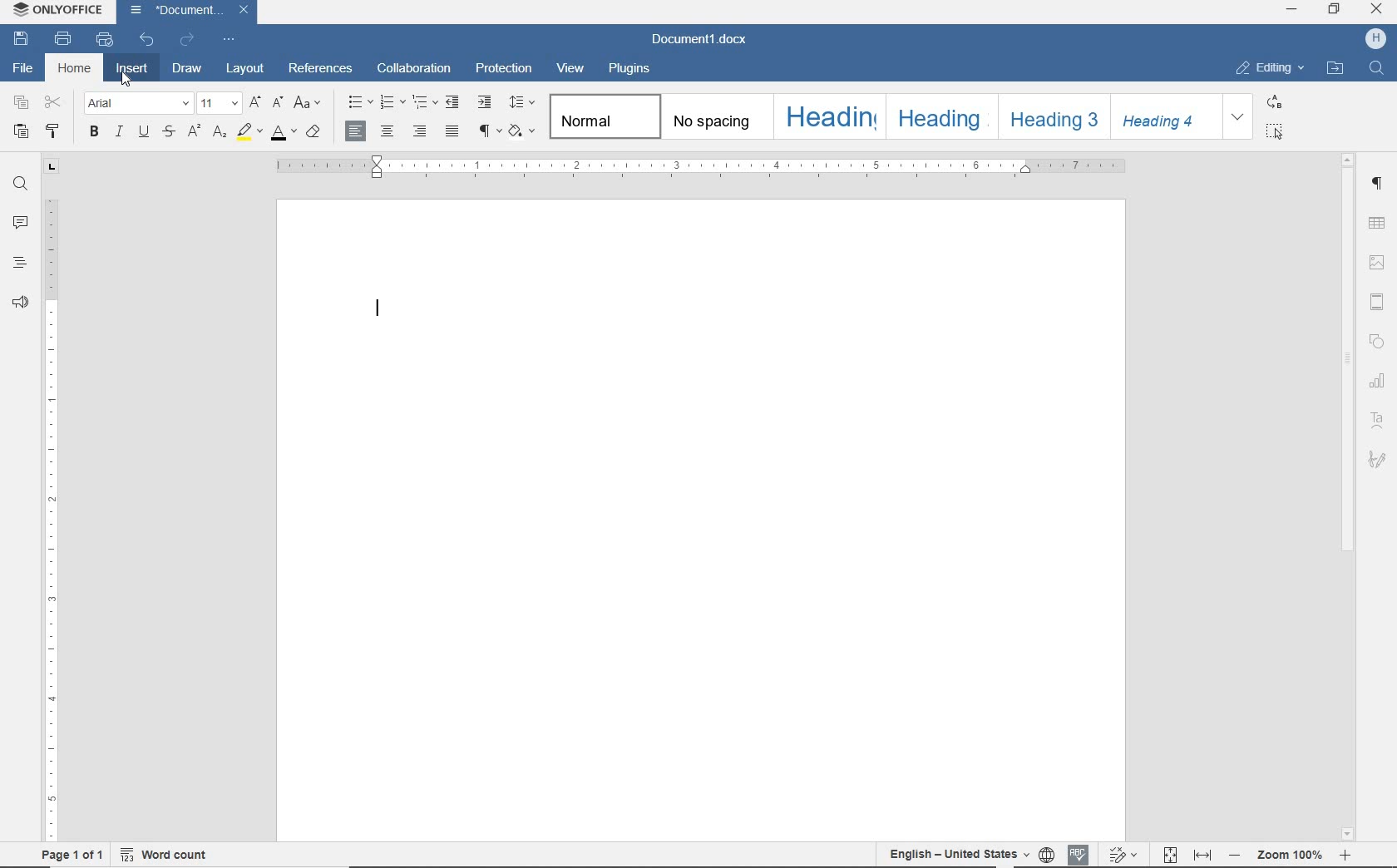 The image size is (1397, 868). What do you see at coordinates (20, 40) in the screenshot?
I see `save` at bounding box center [20, 40].